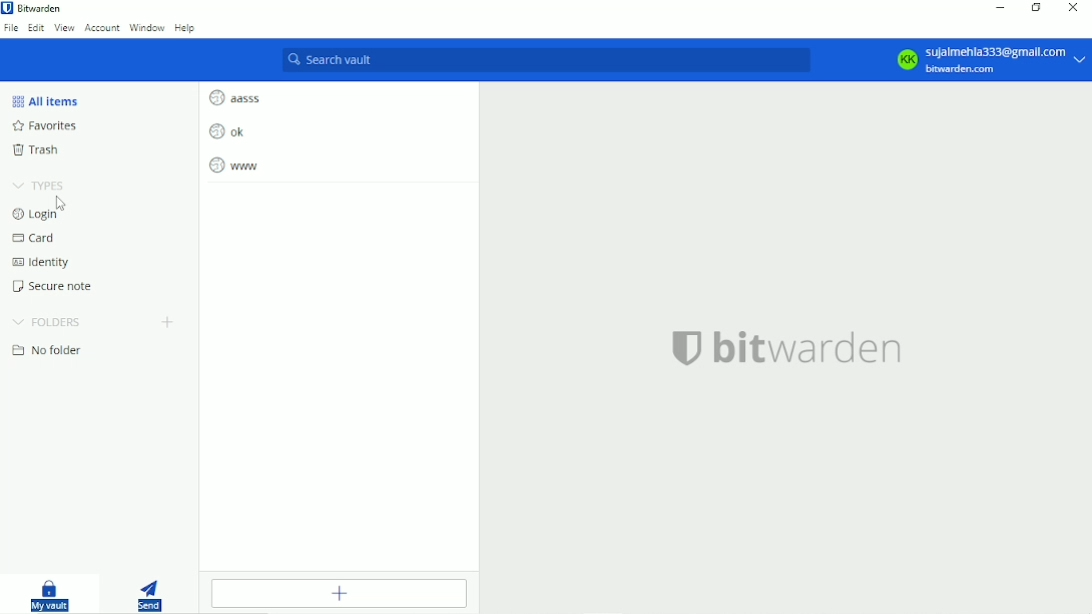 The image size is (1092, 614). What do you see at coordinates (103, 29) in the screenshot?
I see `Account` at bounding box center [103, 29].